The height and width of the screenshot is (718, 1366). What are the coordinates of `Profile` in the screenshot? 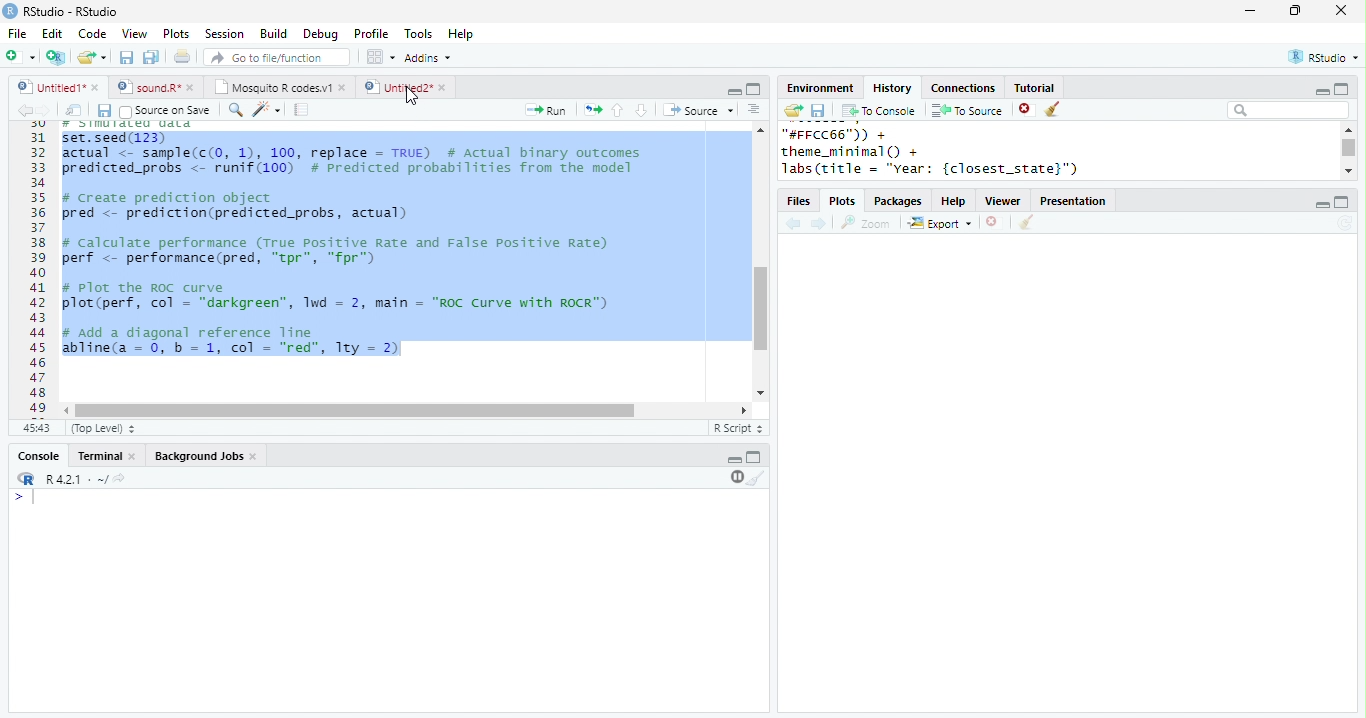 It's located at (371, 33).